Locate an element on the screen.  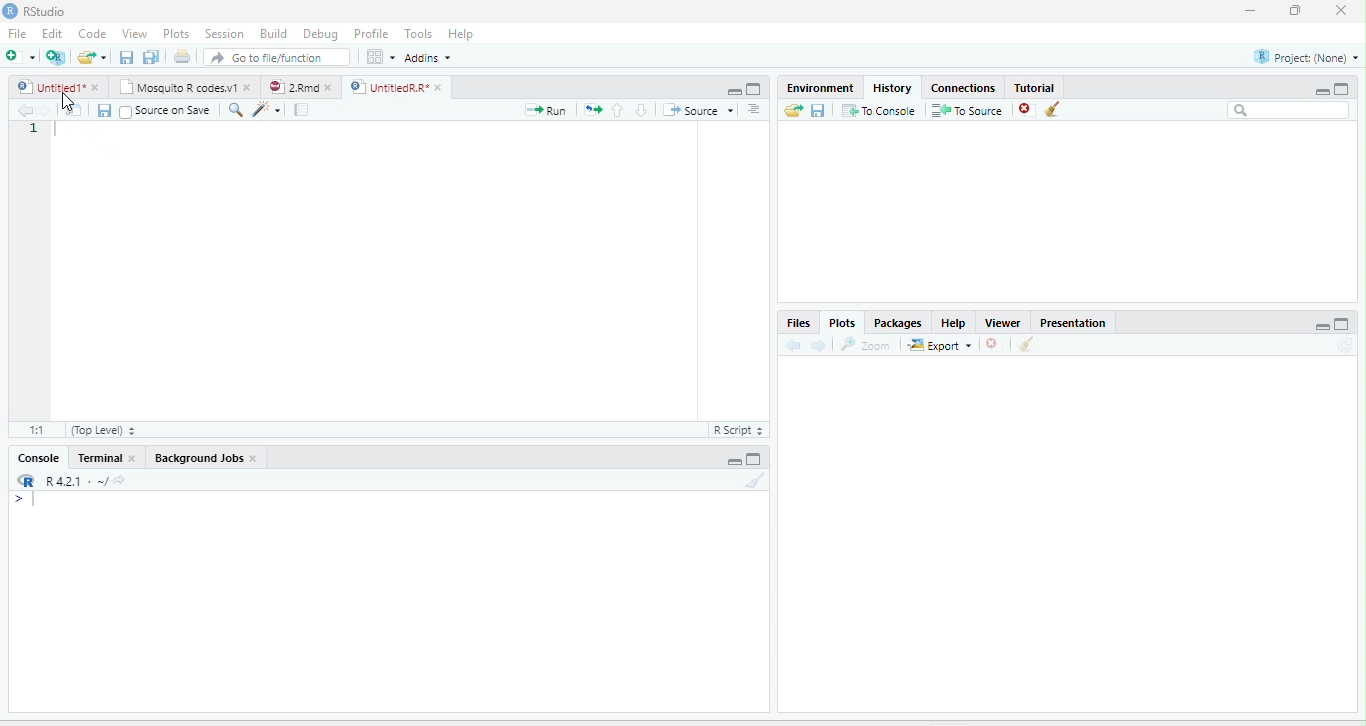
Plots is located at coordinates (841, 323).